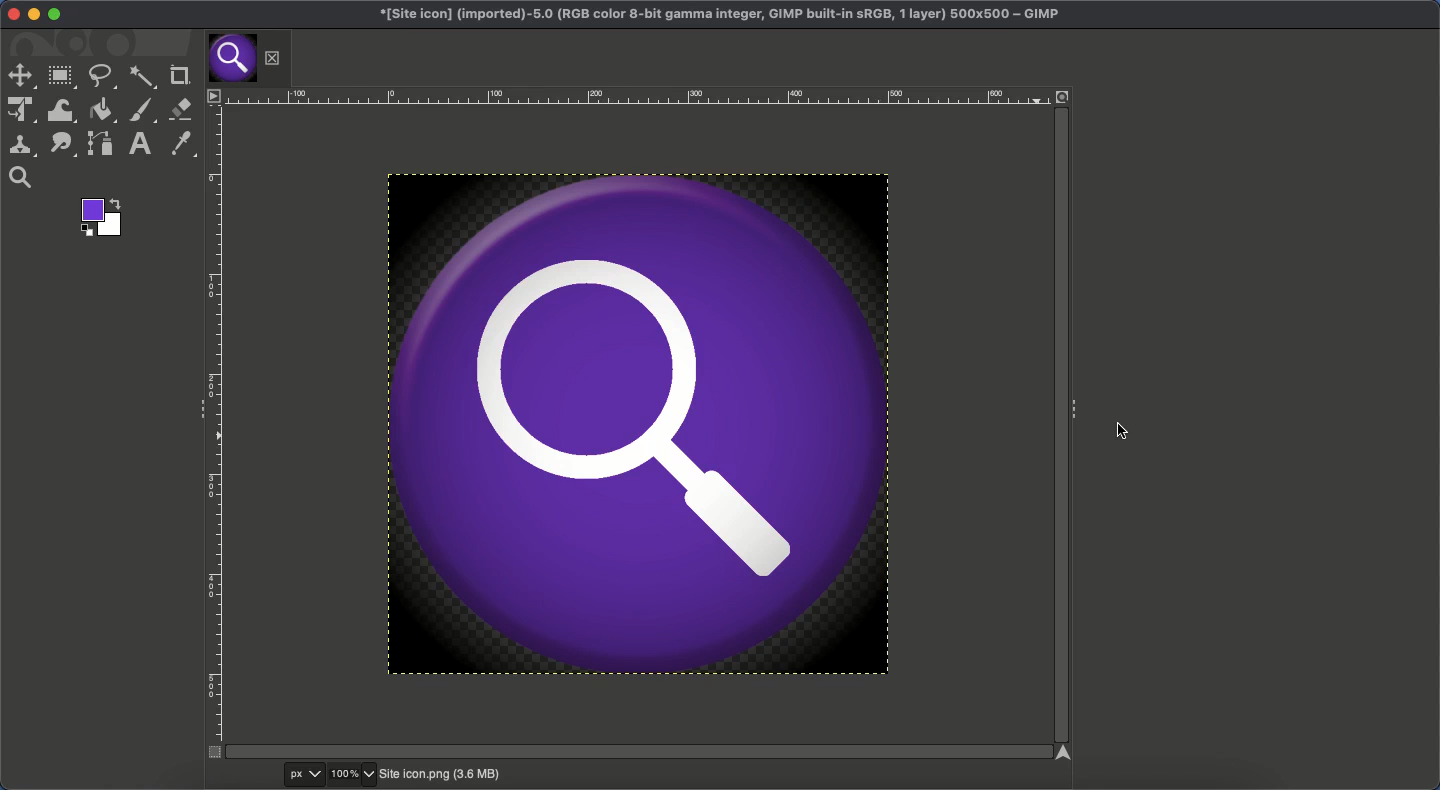 The height and width of the screenshot is (790, 1440). I want to click on pc, so click(306, 775).